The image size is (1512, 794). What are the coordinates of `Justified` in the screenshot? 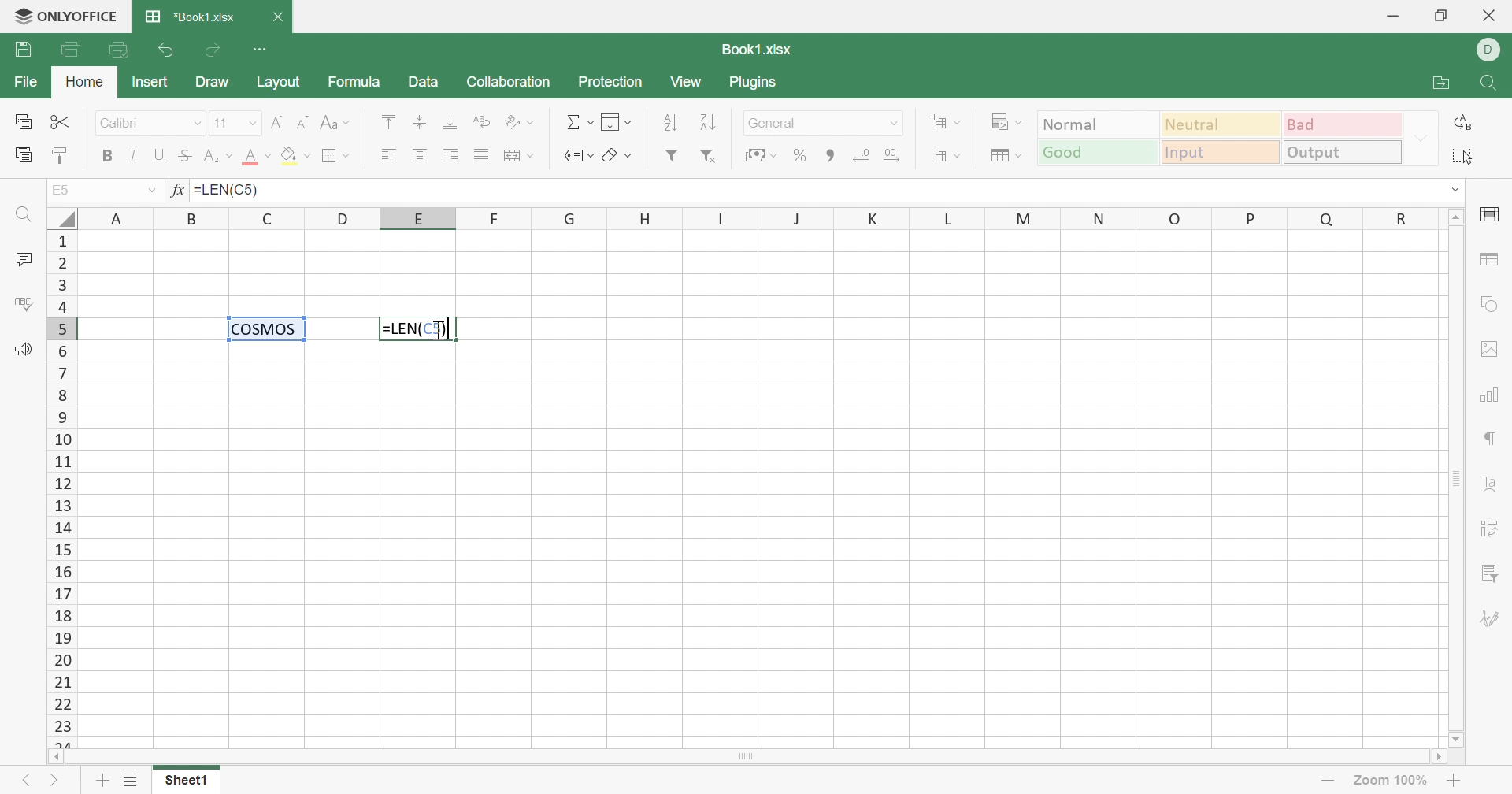 It's located at (481, 157).